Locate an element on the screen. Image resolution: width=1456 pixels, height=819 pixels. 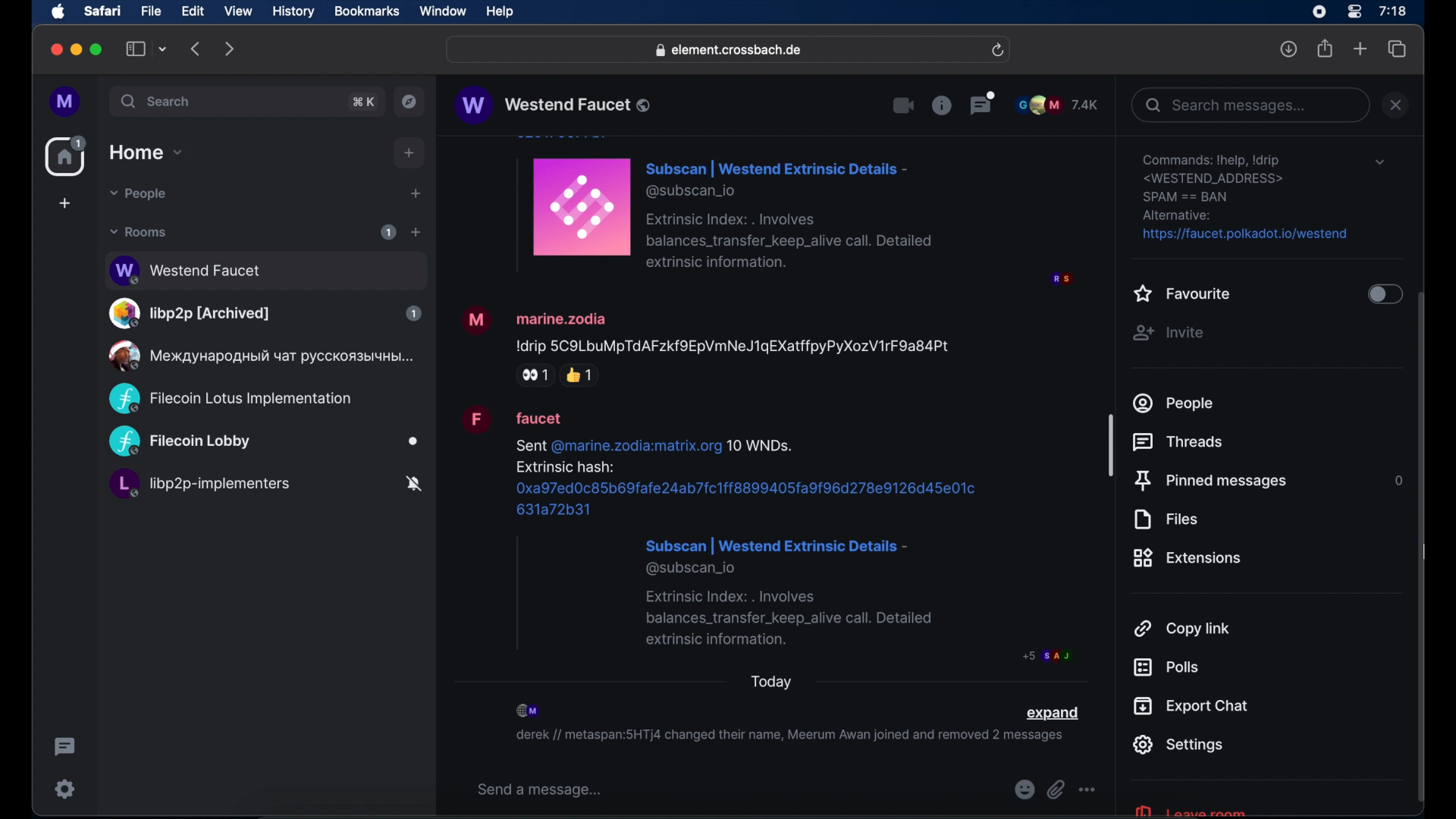
close is located at coordinates (55, 50).